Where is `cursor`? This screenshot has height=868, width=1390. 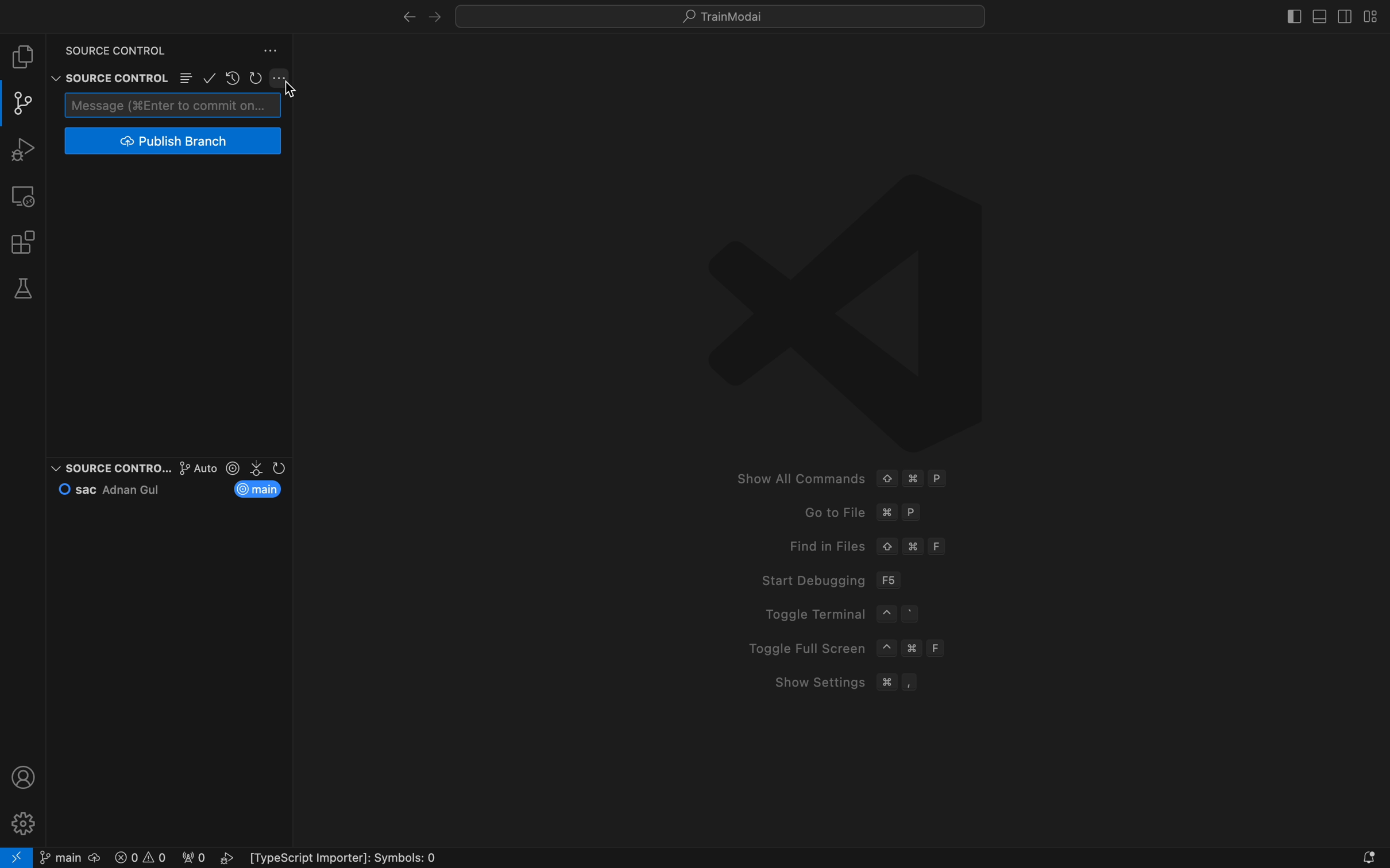 cursor is located at coordinates (281, 88).